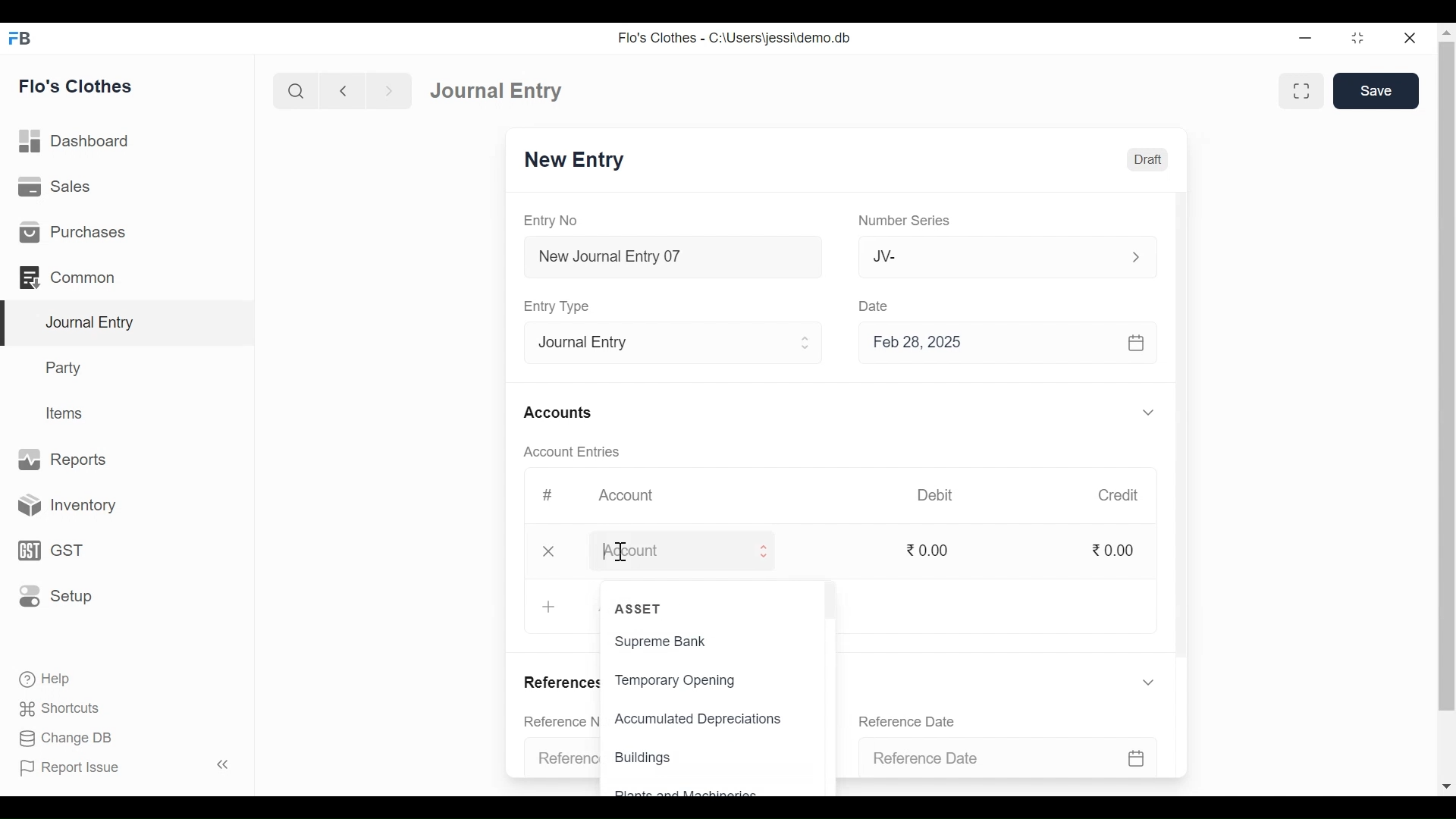 This screenshot has height=819, width=1456. What do you see at coordinates (660, 342) in the screenshot?
I see `Entry Type` at bounding box center [660, 342].